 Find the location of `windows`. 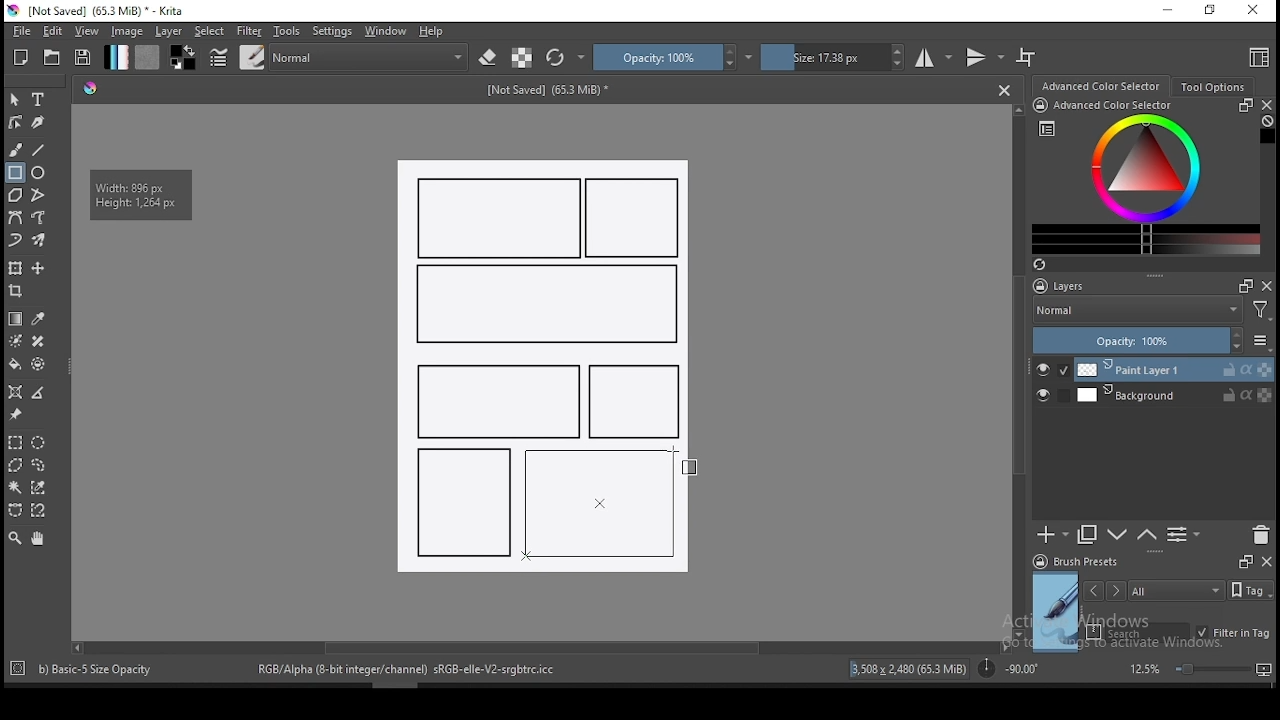

windows is located at coordinates (386, 31).